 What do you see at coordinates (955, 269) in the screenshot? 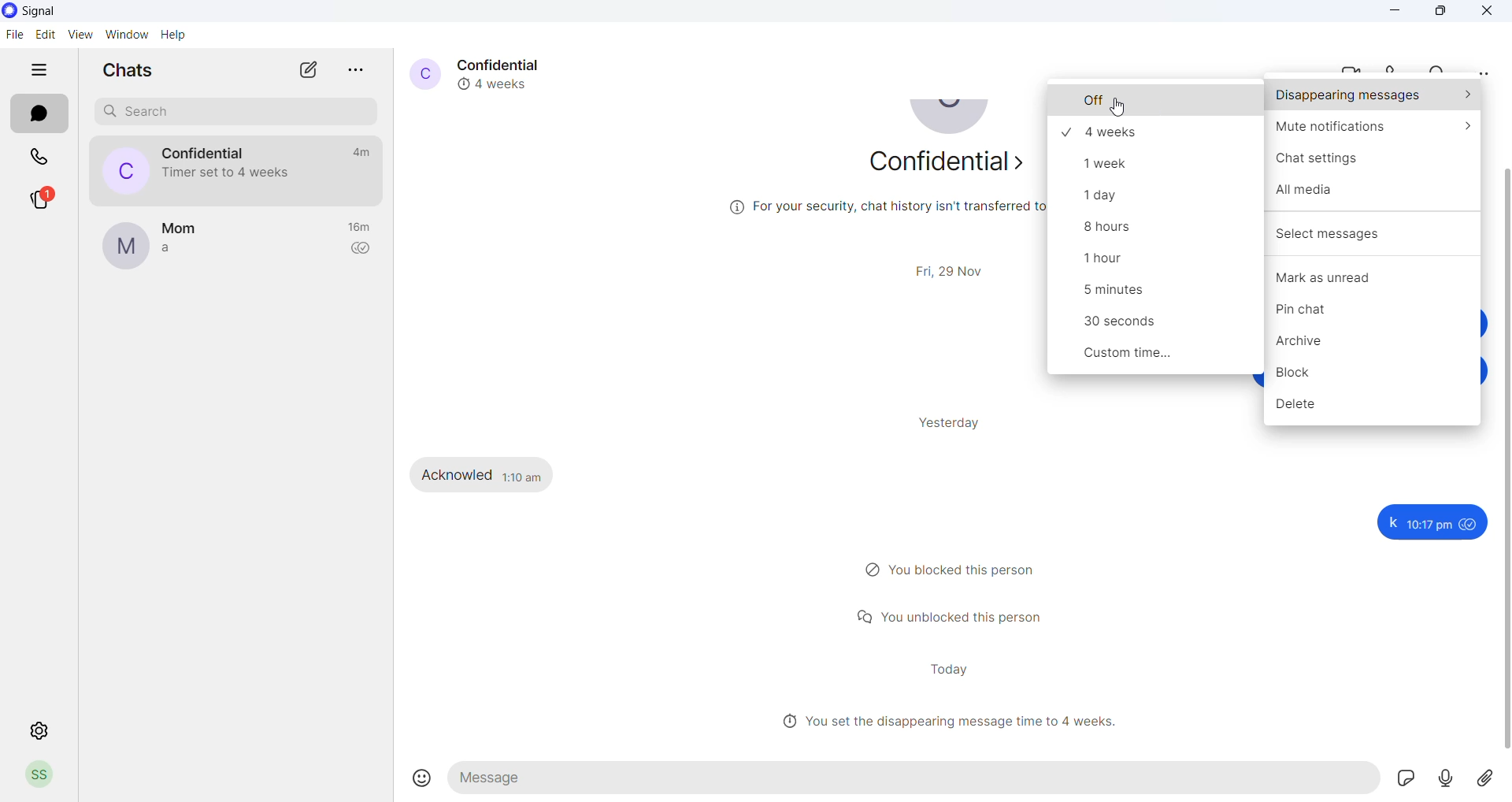
I see `date heading` at bounding box center [955, 269].